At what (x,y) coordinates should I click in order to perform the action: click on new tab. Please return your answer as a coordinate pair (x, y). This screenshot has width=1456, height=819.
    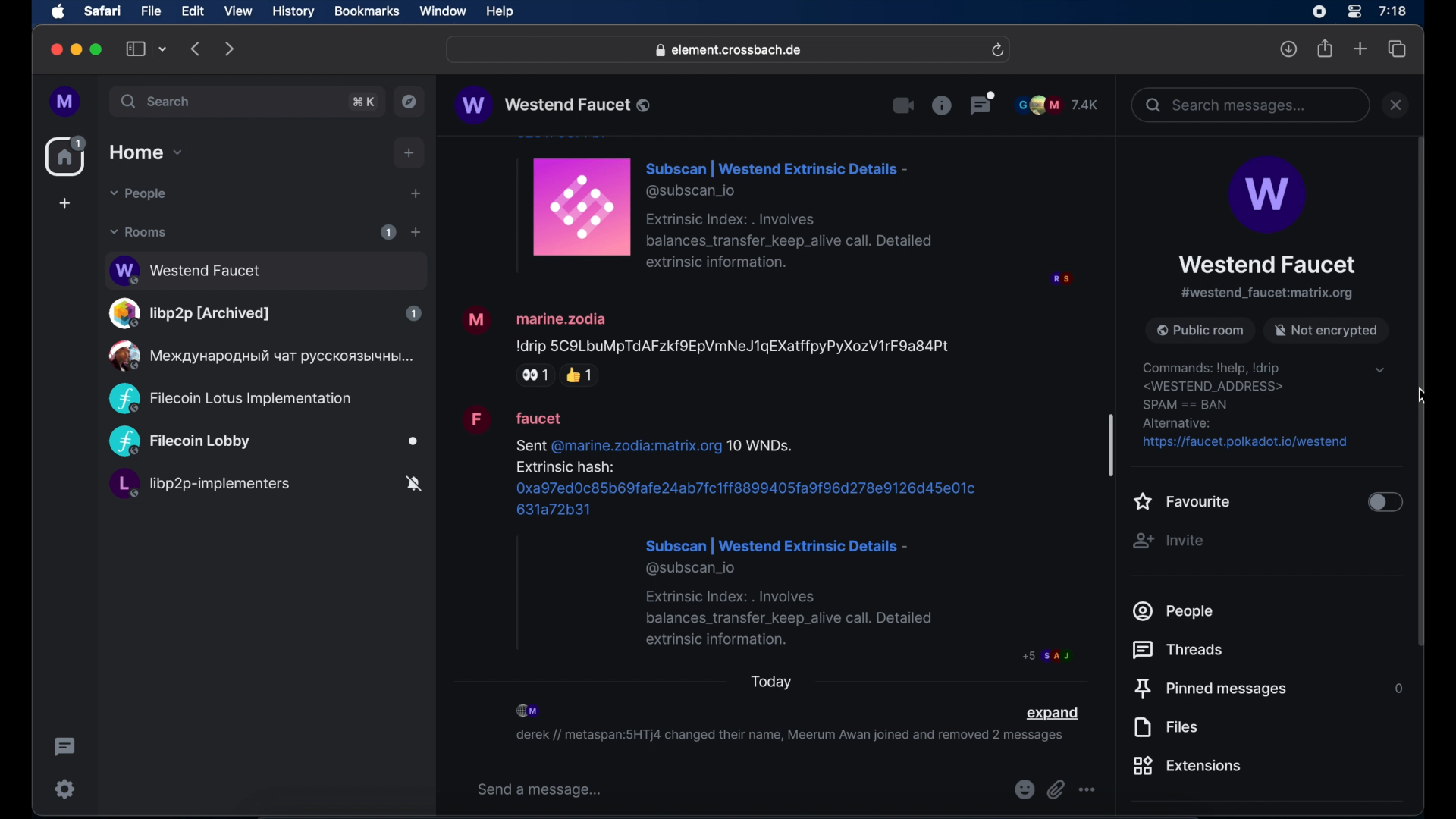
    Looking at the image, I should click on (1360, 48).